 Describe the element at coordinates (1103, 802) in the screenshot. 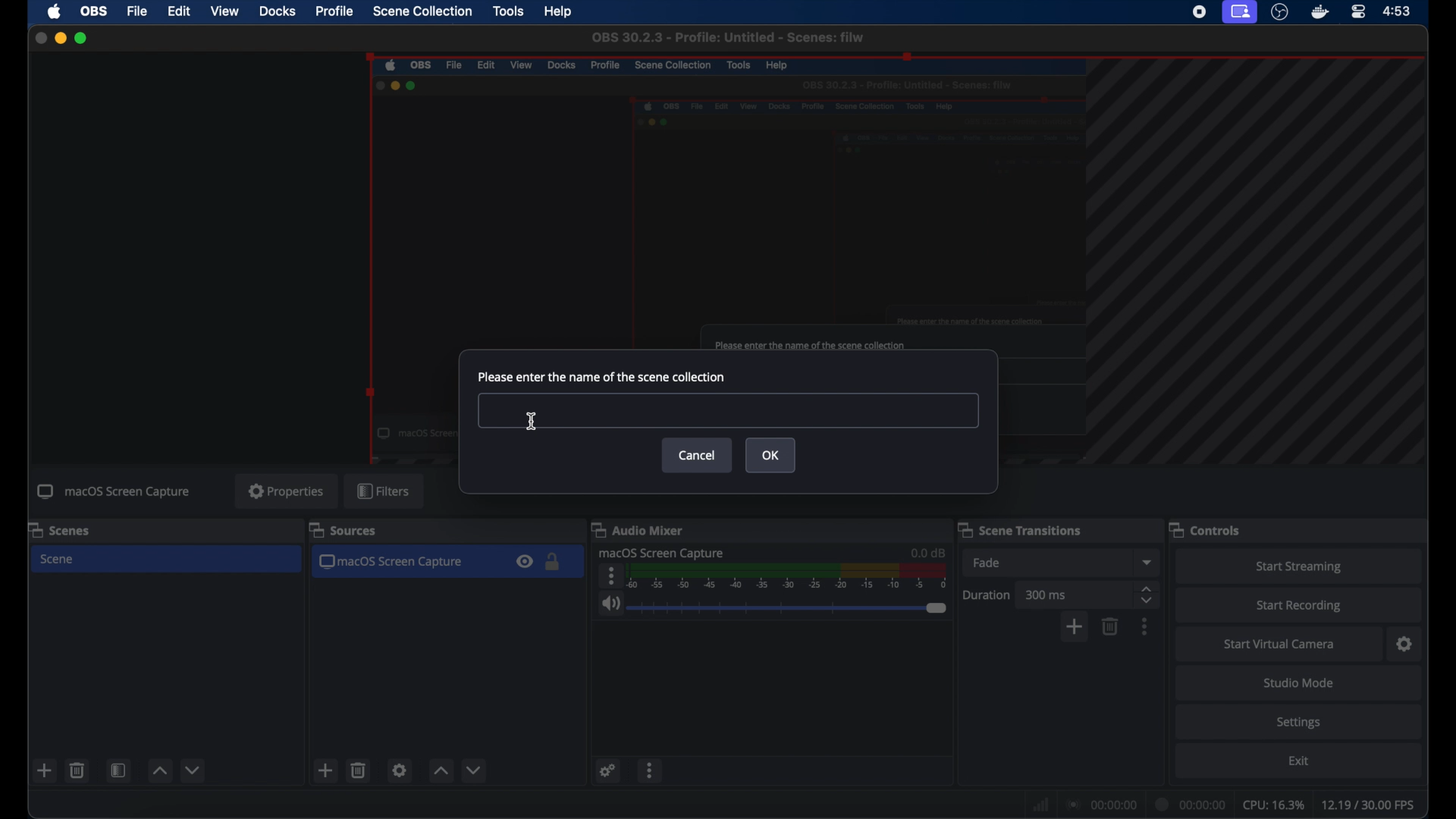

I see `connection` at that location.